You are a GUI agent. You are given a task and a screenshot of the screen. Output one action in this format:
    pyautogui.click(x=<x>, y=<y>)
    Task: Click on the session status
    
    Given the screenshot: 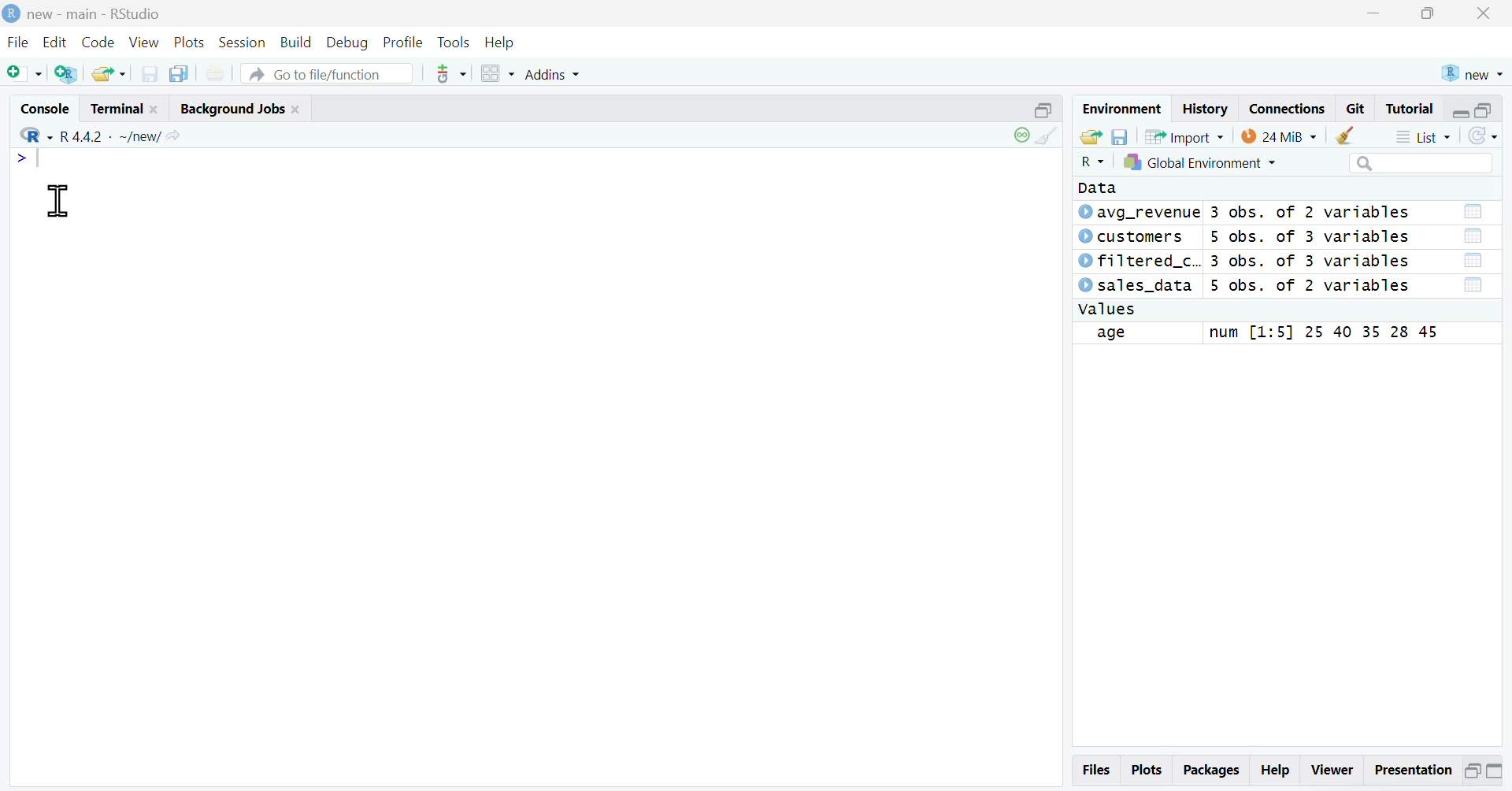 What is the action you would take?
    pyautogui.click(x=1020, y=136)
    